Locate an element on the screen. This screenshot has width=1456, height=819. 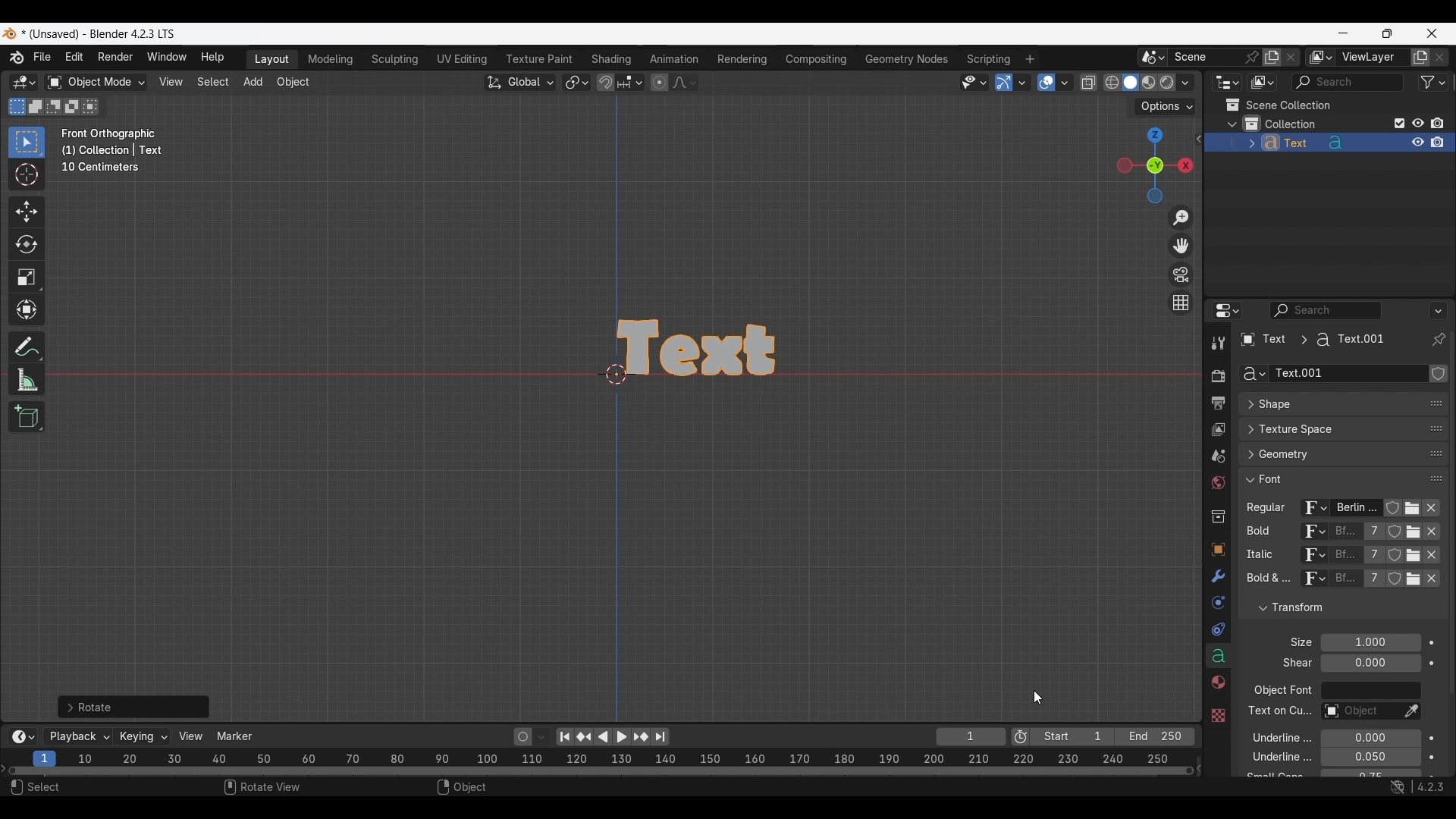
bold is located at coordinates (1255, 534).